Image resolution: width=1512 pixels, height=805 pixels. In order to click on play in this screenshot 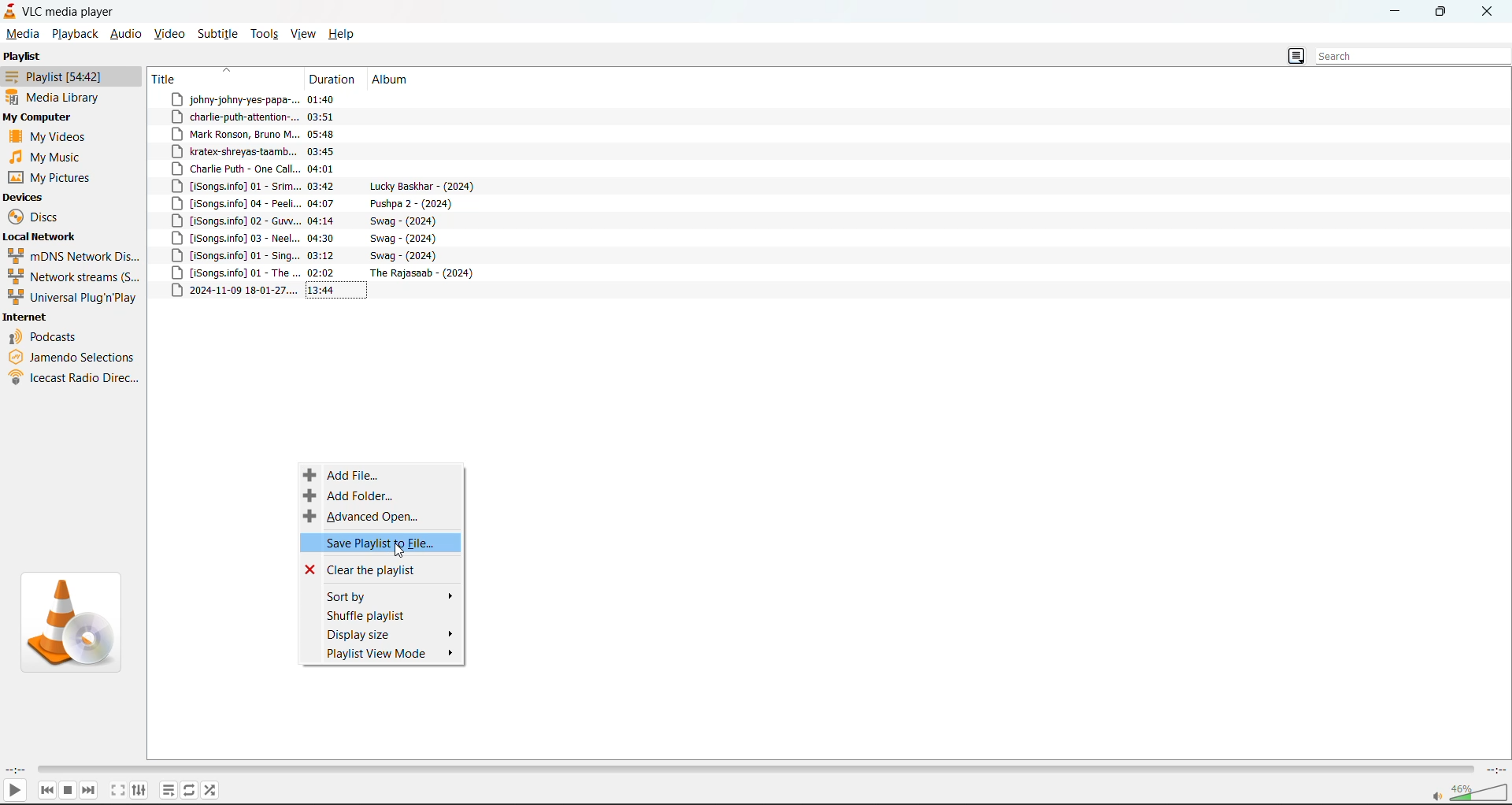, I will do `click(17, 789)`.